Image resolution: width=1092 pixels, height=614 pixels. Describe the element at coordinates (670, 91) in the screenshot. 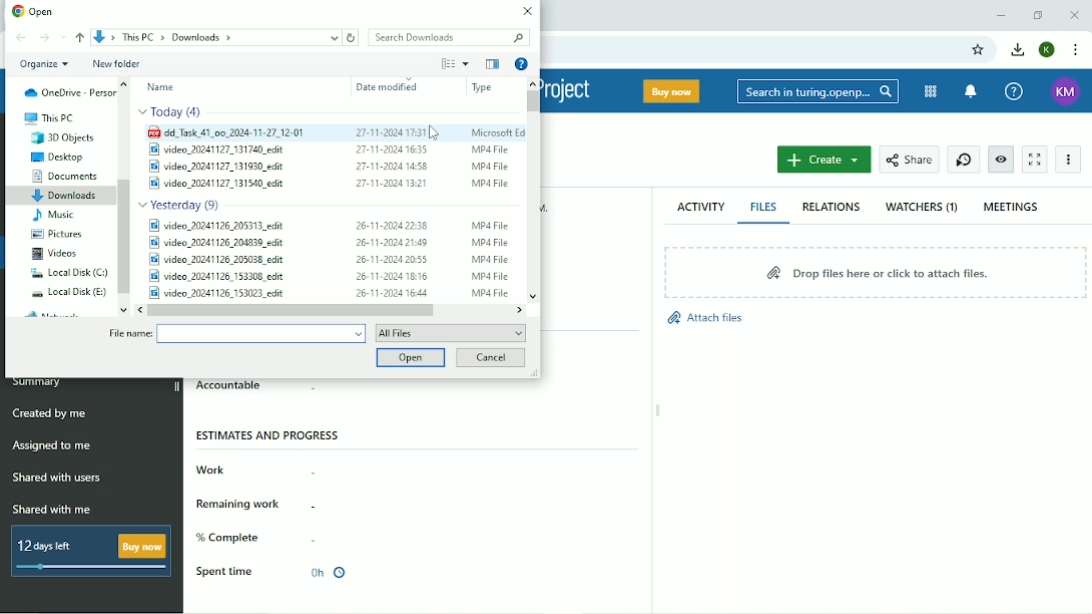

I see `Buy now` at that location.